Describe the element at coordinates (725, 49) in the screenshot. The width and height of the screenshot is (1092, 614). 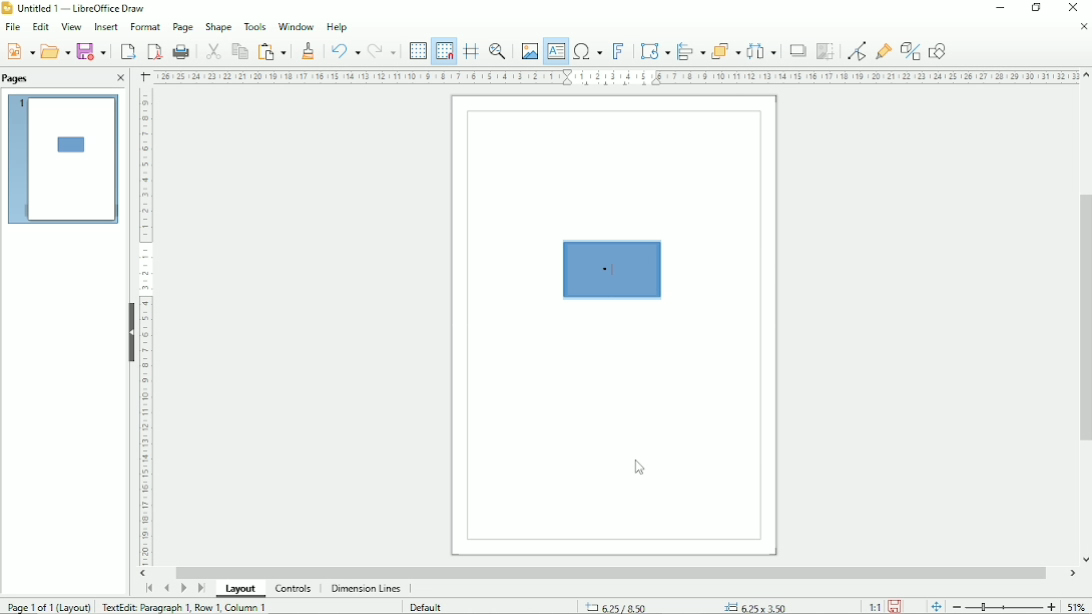
I see `Arrange` at that location.